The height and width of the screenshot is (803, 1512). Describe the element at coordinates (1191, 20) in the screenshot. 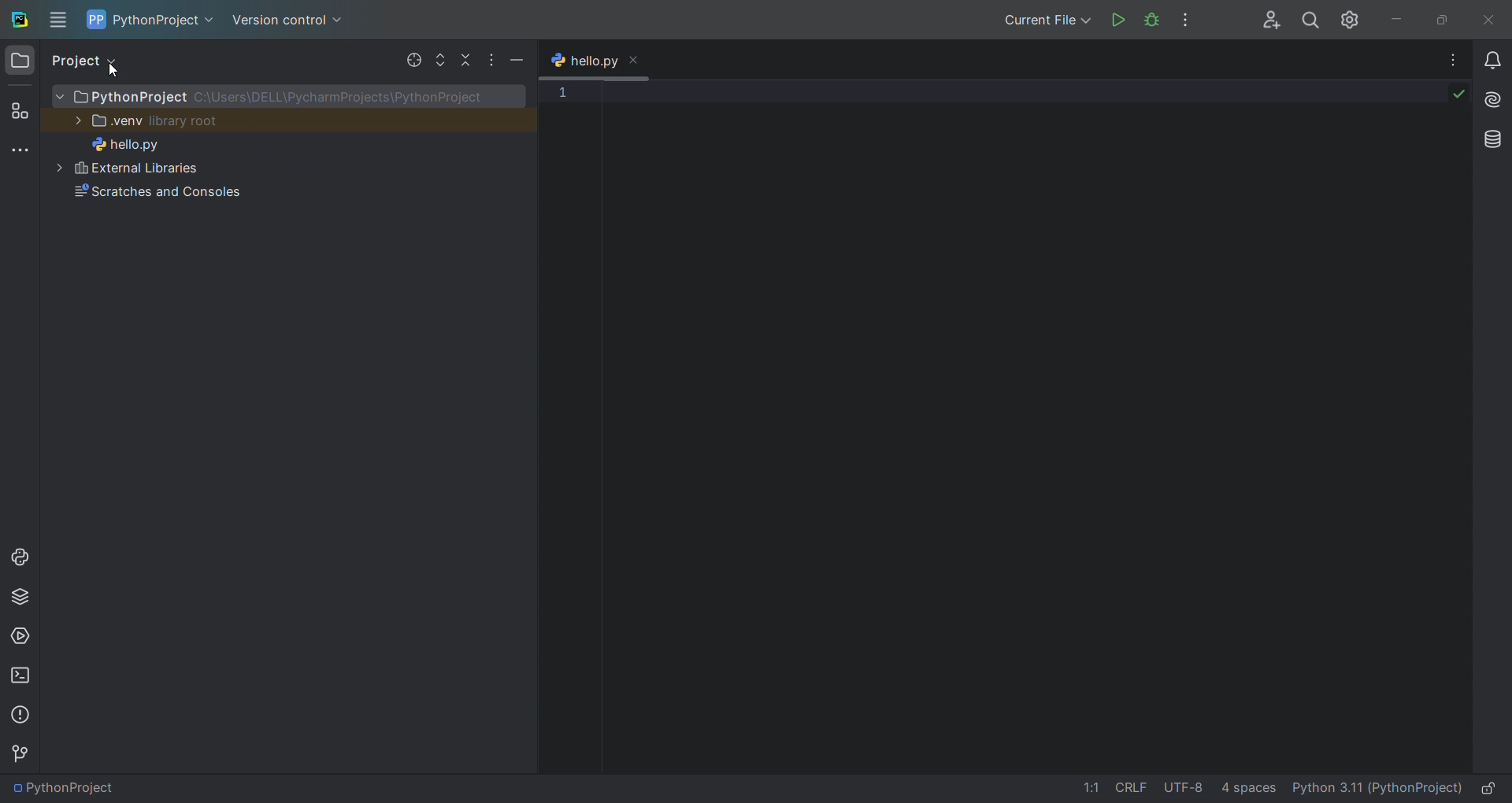

I see `options` at that location.